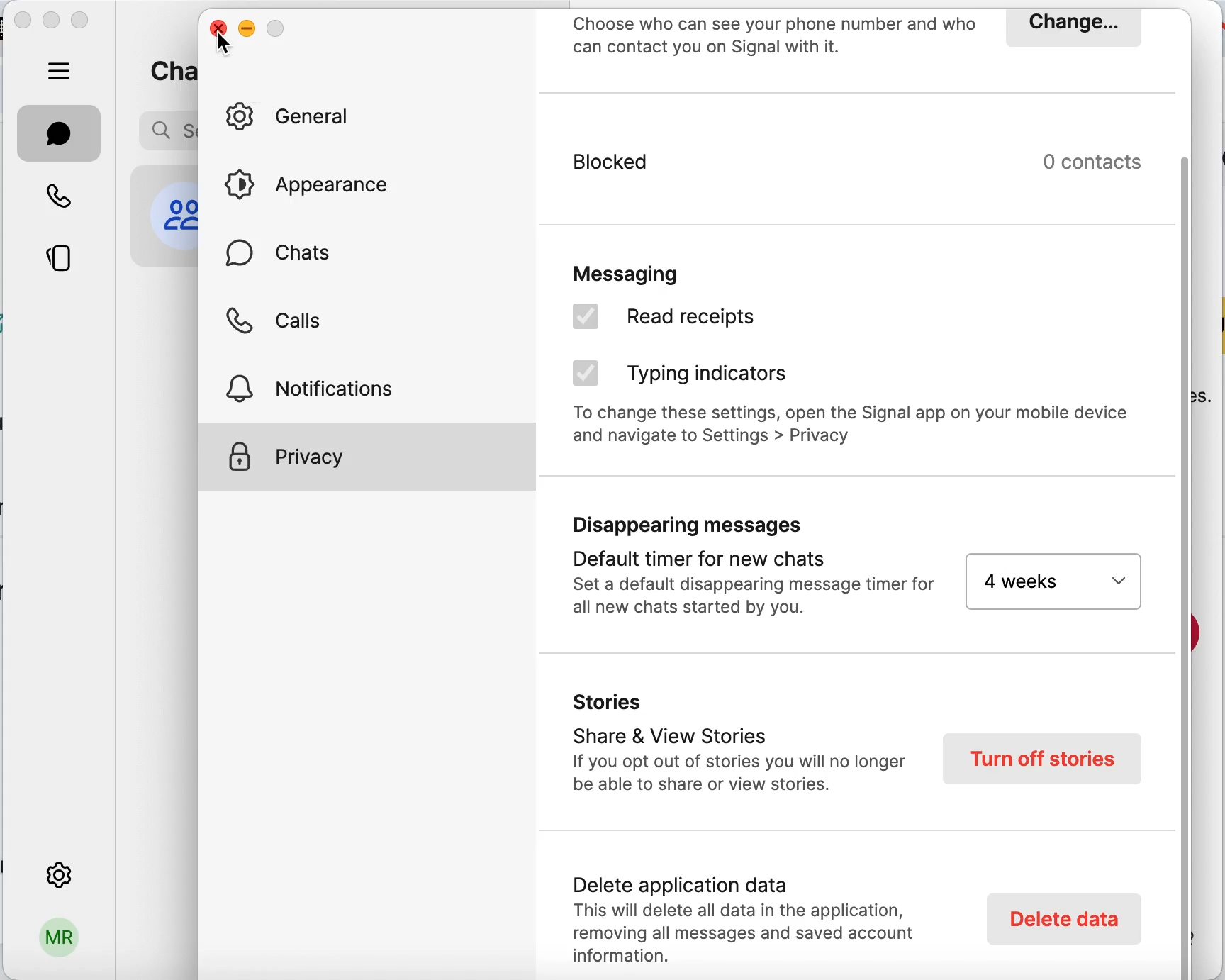  I want to click on hide tabs, so click(60, 70).